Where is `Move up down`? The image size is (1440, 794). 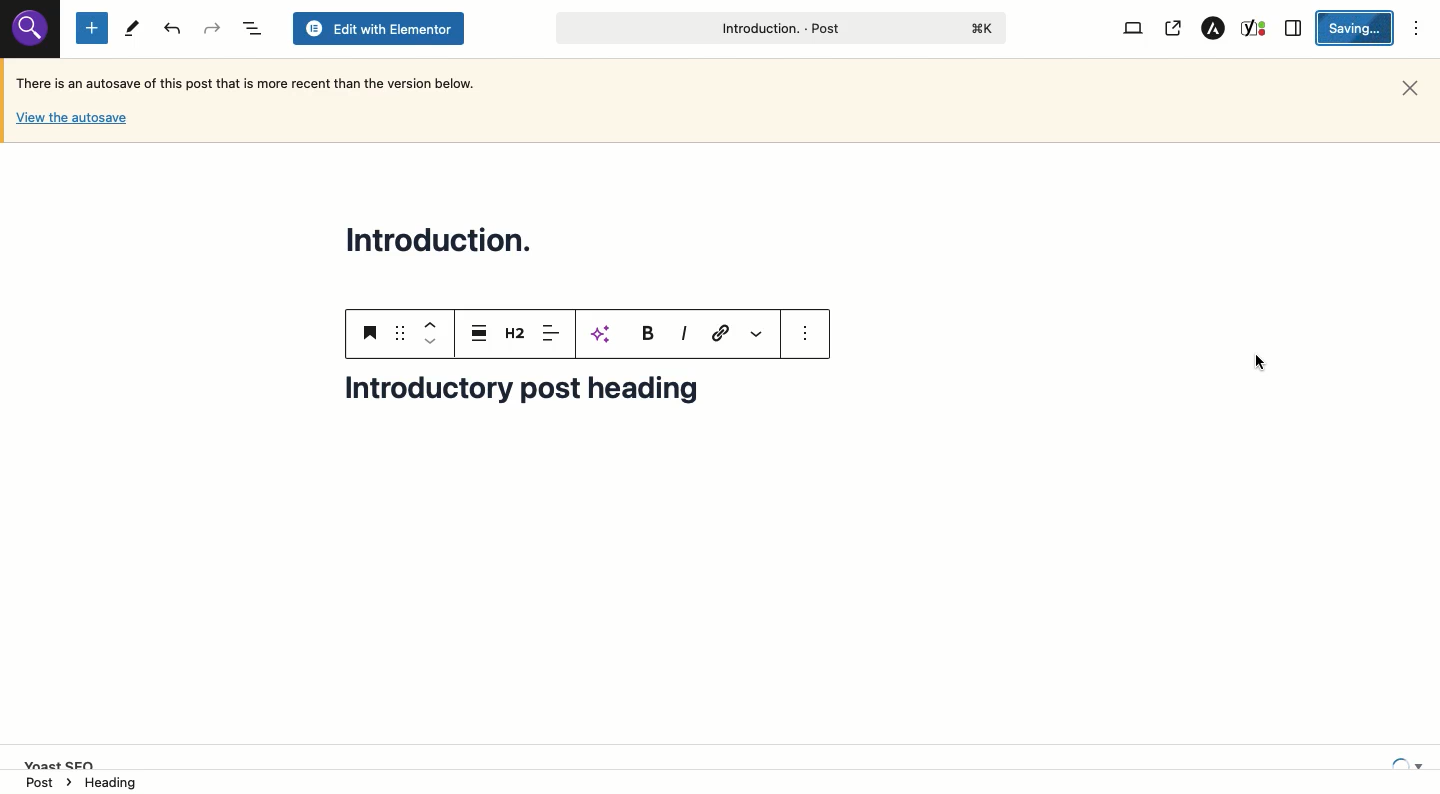
Move up down is located at coordinates (428, 332).